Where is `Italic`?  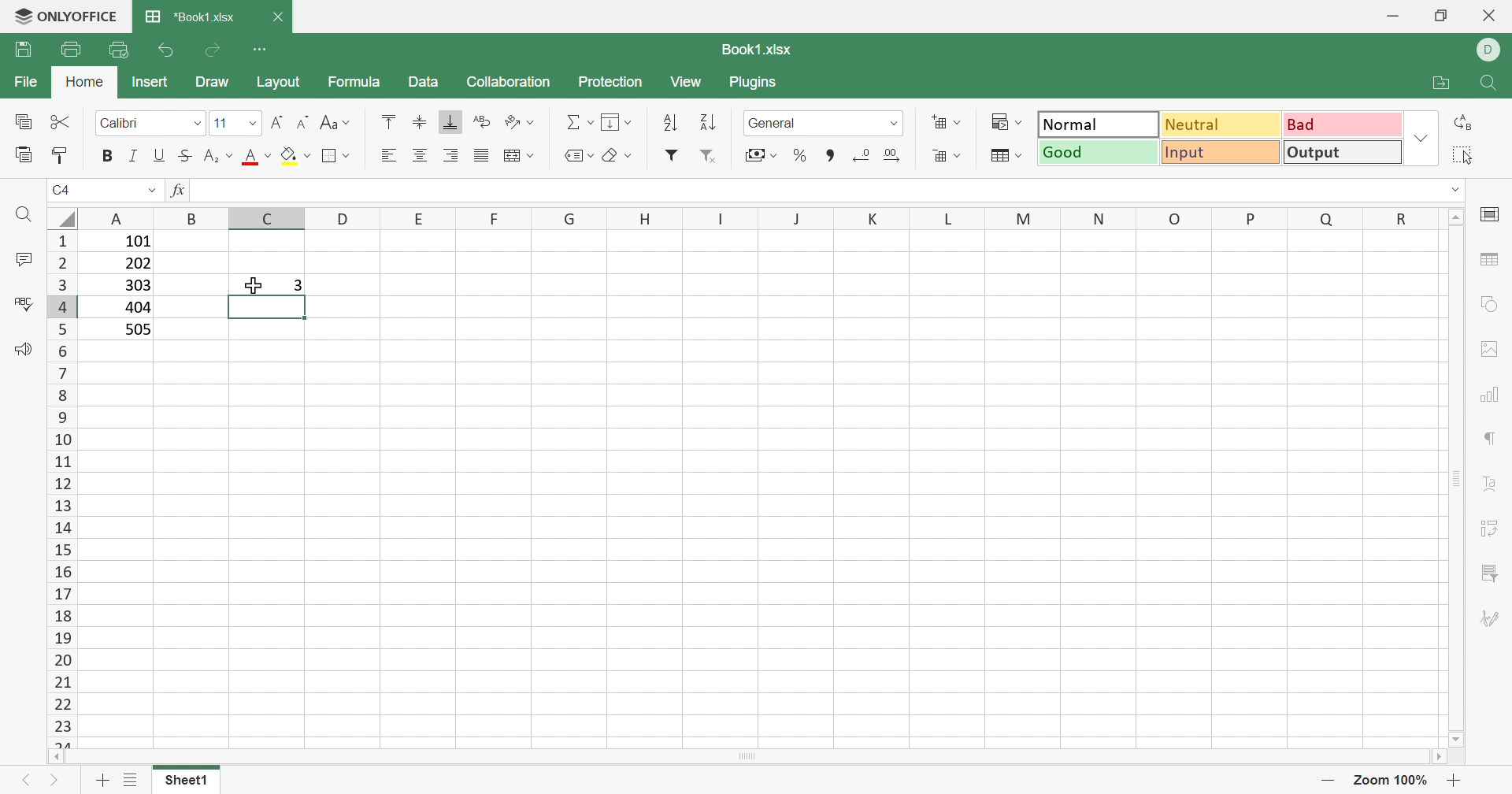
Italic is located at coordinates (133, 156).